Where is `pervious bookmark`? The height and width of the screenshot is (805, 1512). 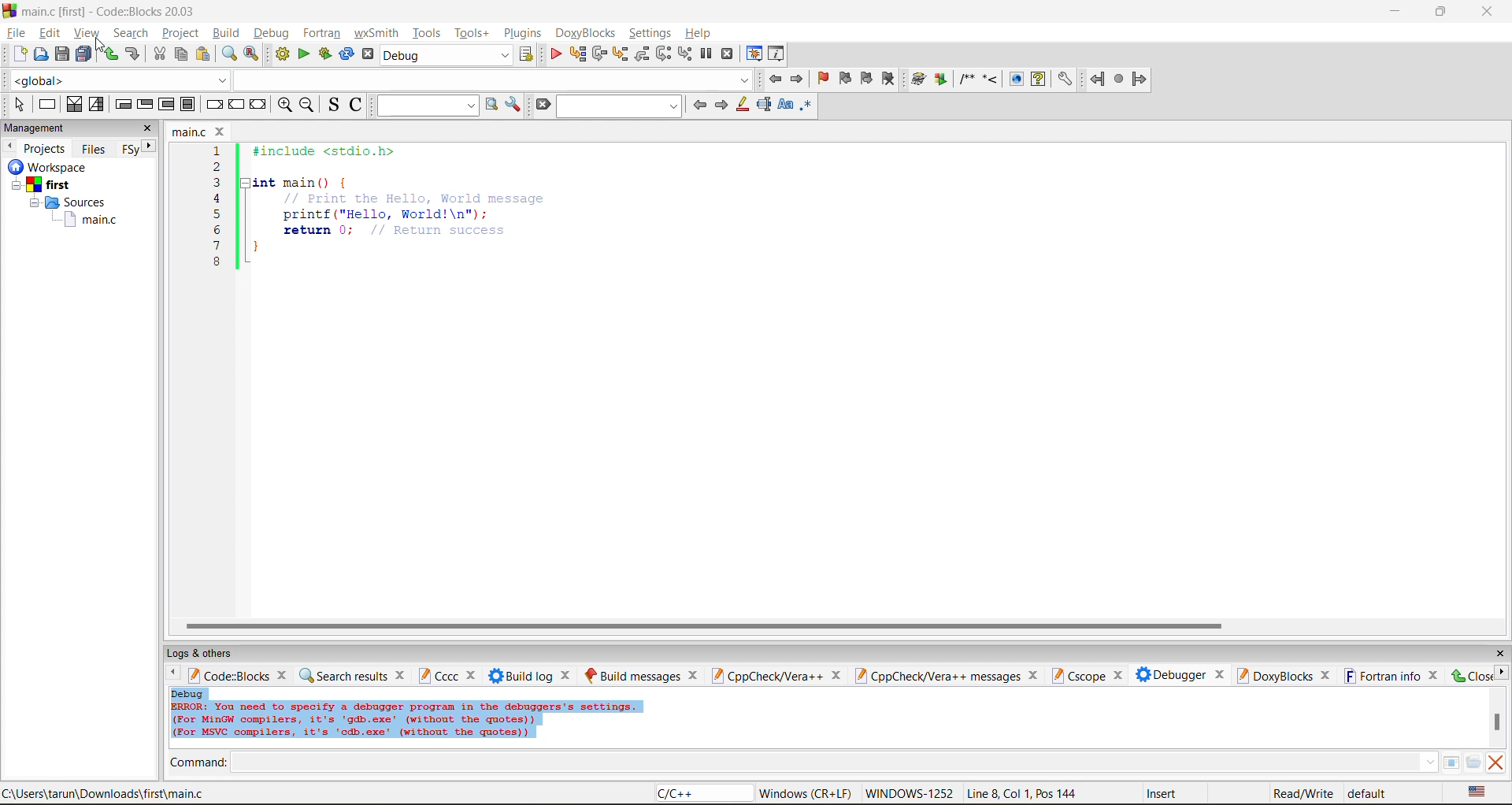 pervious bookmark is located at coordinates (847, 80).